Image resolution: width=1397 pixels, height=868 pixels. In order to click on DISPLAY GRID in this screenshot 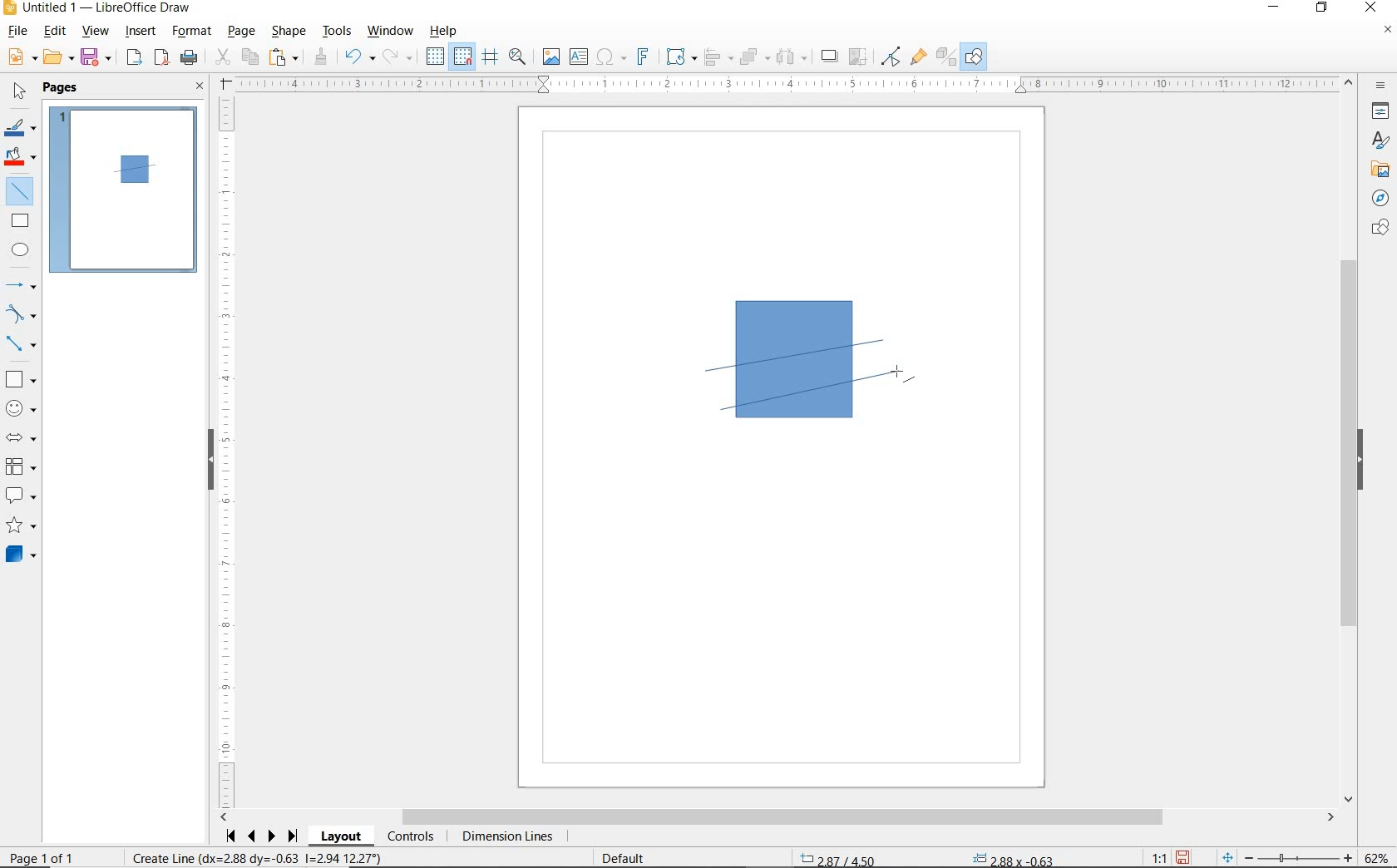, I will do `click(437, 57)`.